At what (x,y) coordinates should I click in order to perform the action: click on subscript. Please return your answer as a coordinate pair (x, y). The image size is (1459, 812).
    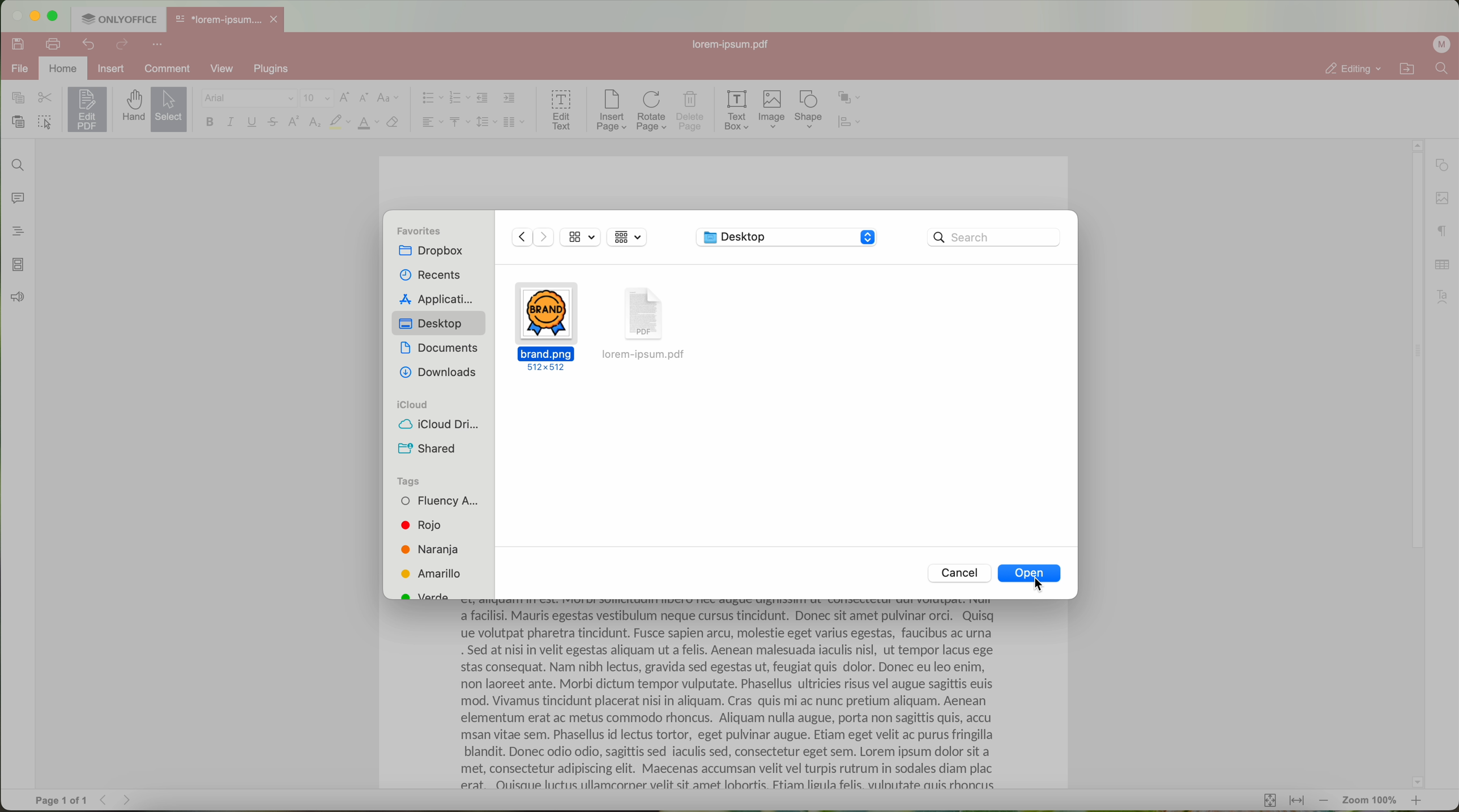
    Looking at the image, I should click on (316, 123).